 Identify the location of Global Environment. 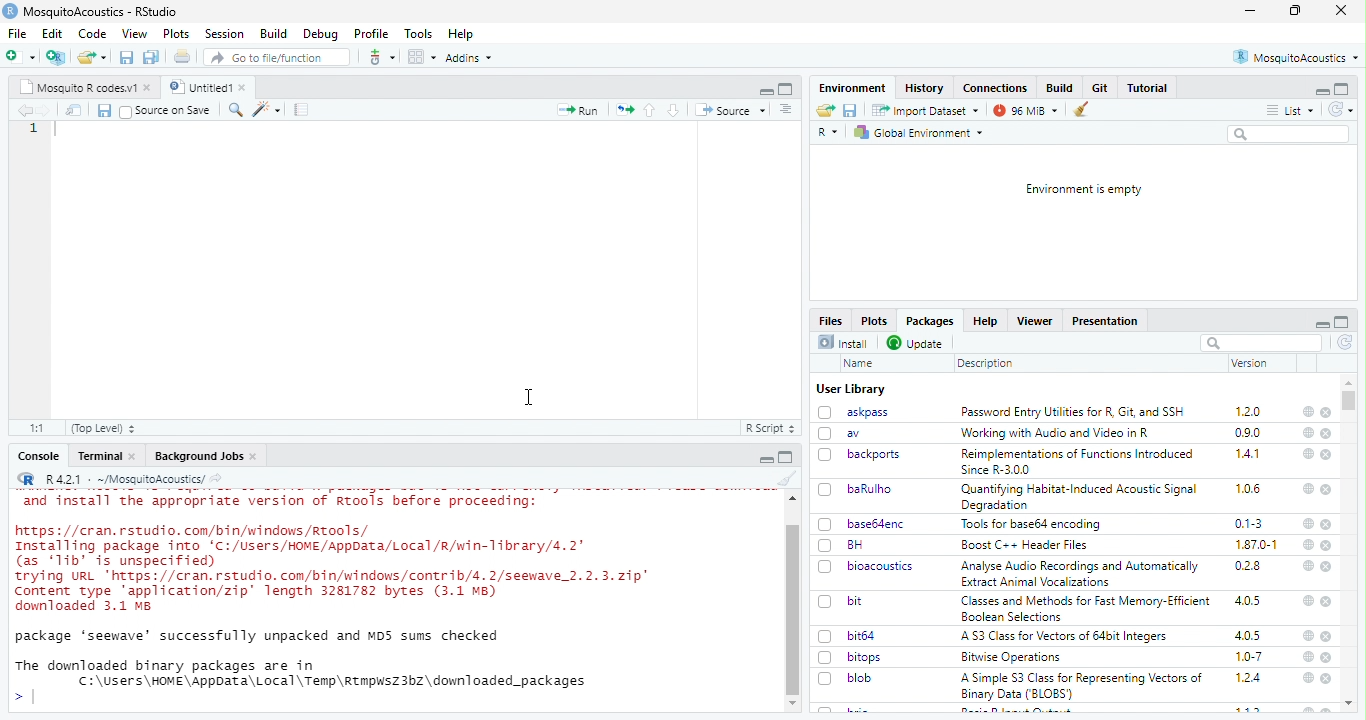
(918, 133).